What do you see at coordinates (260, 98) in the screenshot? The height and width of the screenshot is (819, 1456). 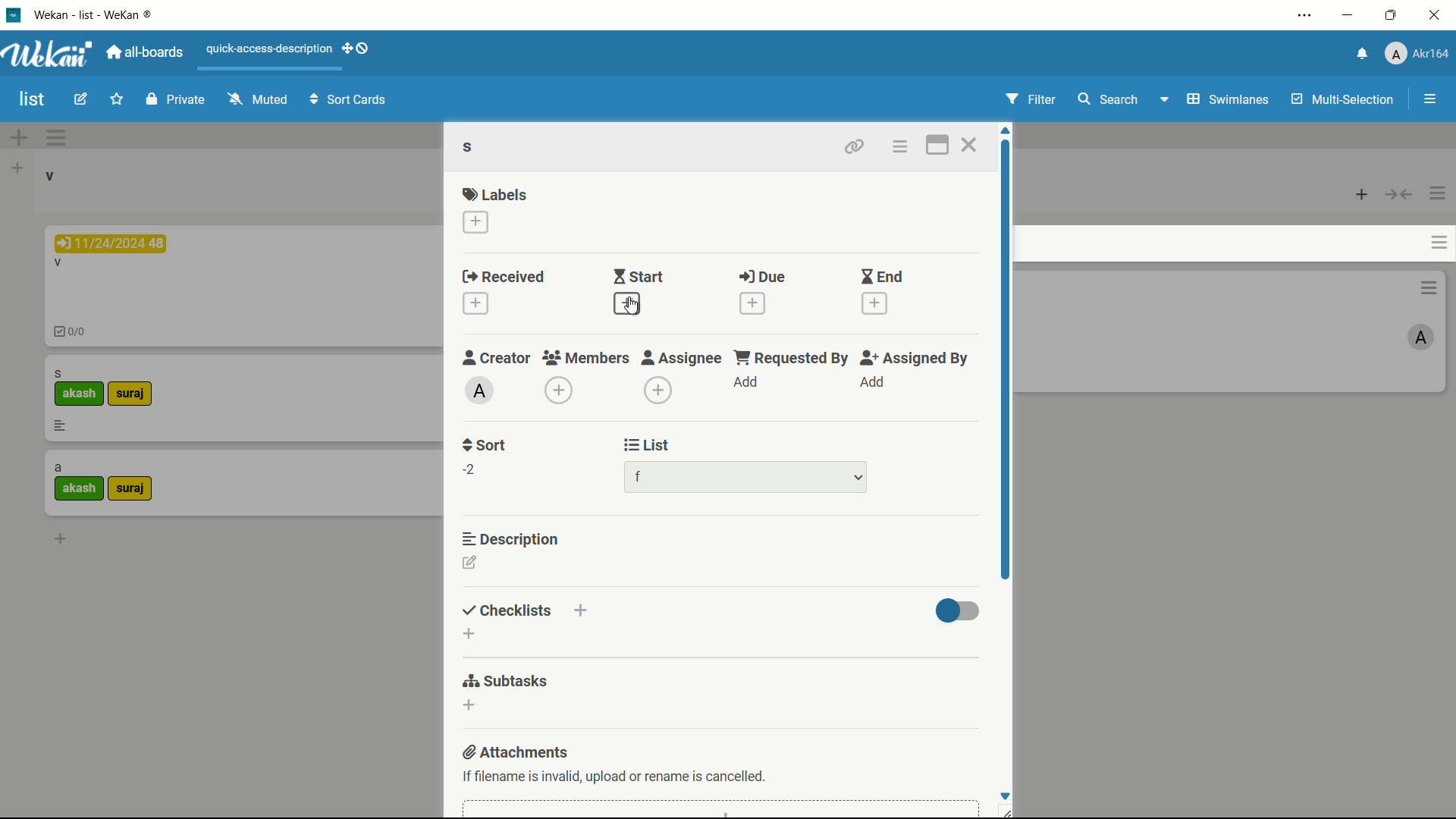 I see `muted` at bounding box center [260, 98].